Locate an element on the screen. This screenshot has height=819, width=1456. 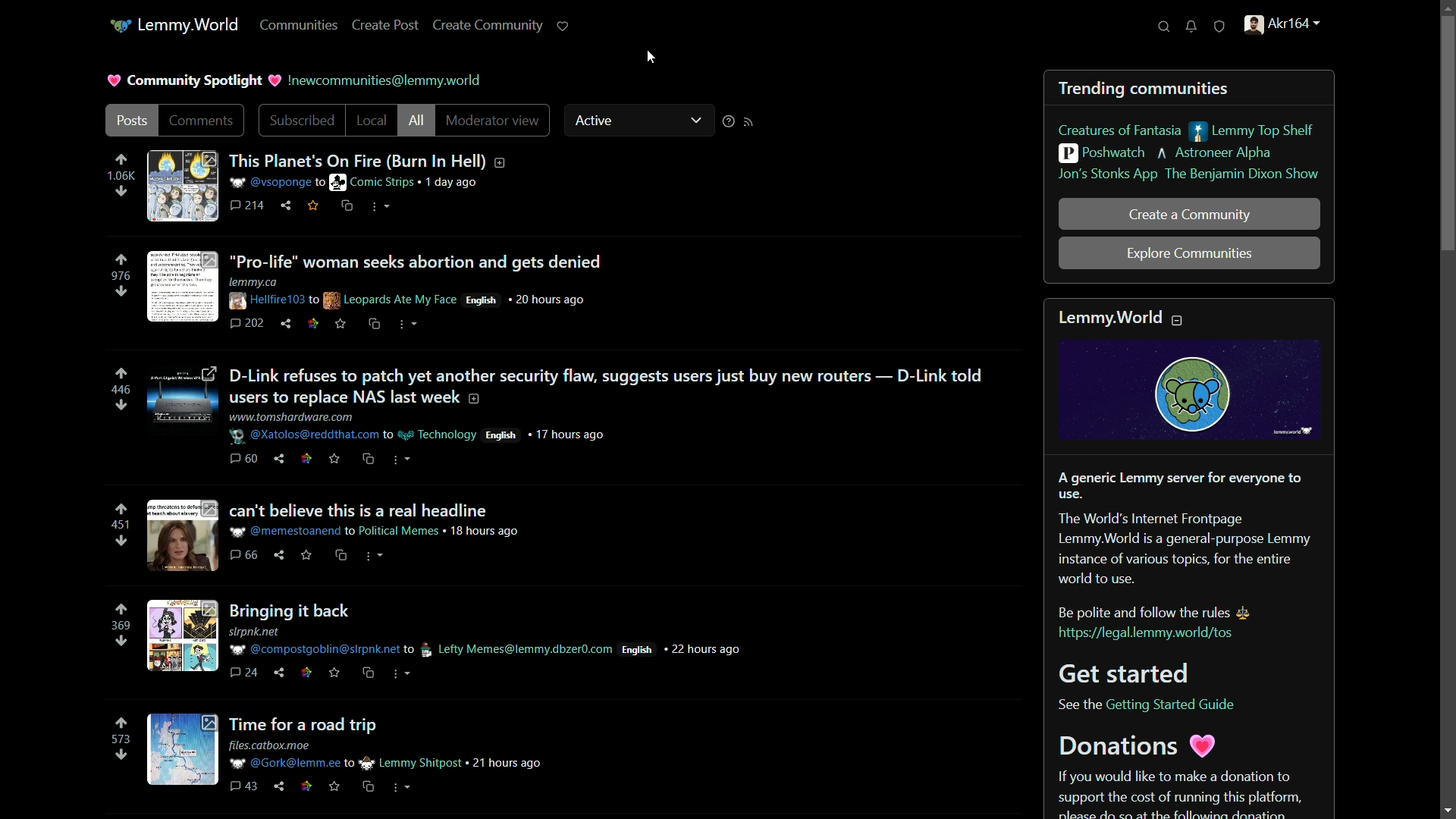
upvote is located at coordinates (121, 160).